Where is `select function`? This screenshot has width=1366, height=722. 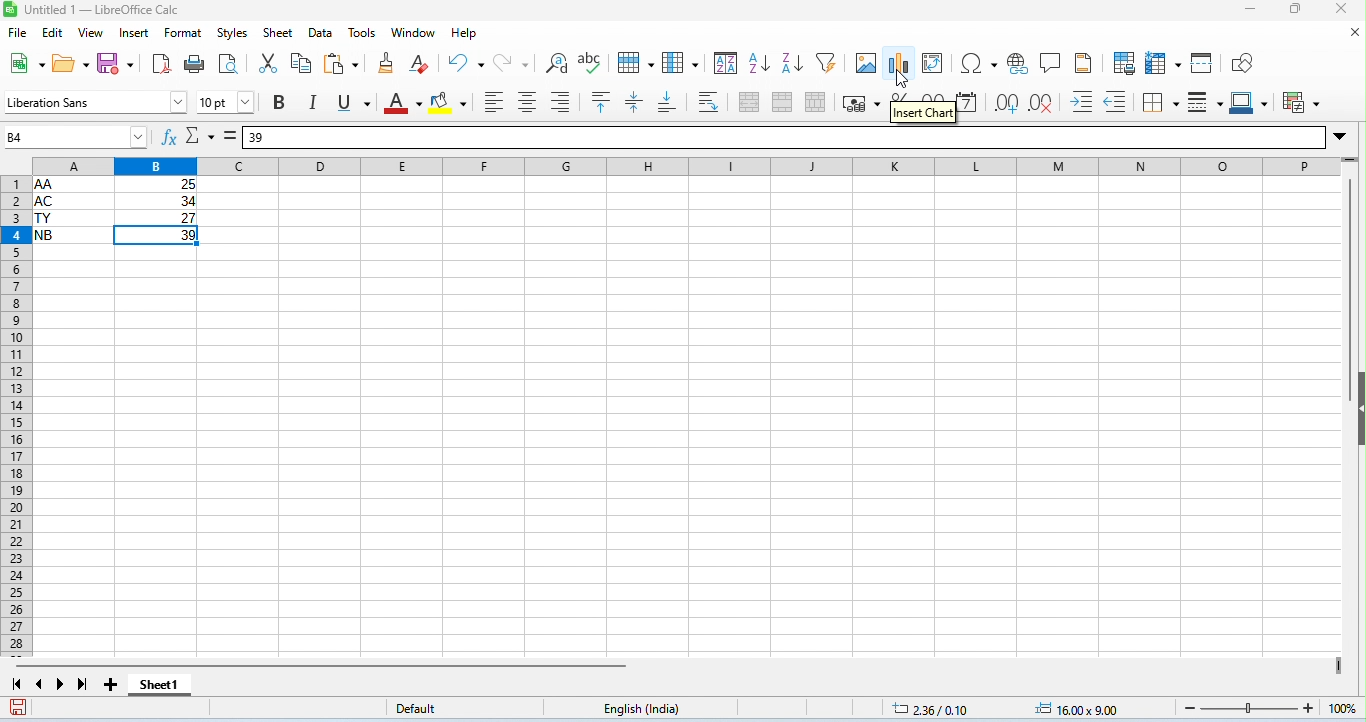
select function is located at coordinates (201, 137).